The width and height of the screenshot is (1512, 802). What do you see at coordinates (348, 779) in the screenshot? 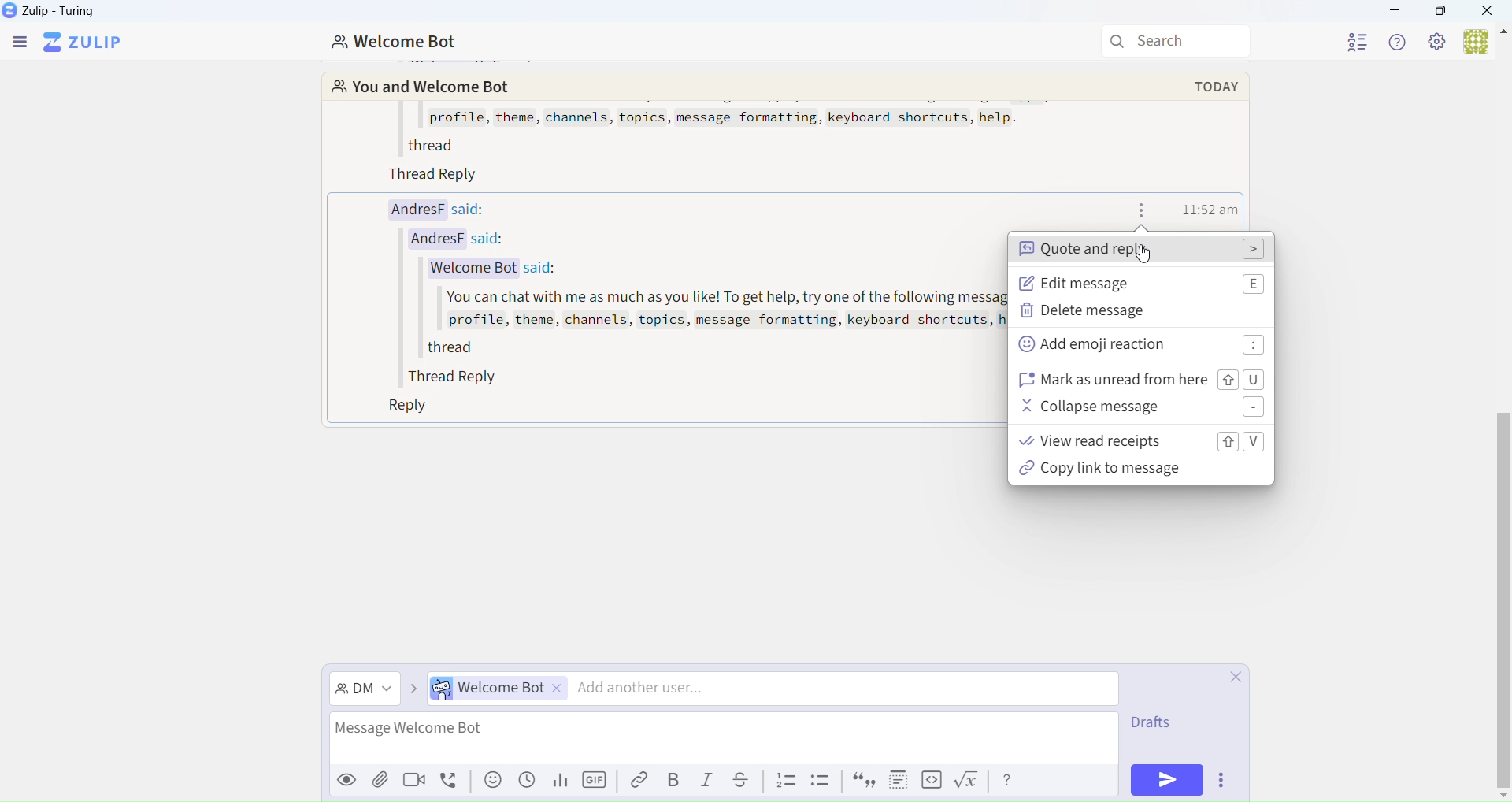
I see `Preview` at bounding box center [348, 779].